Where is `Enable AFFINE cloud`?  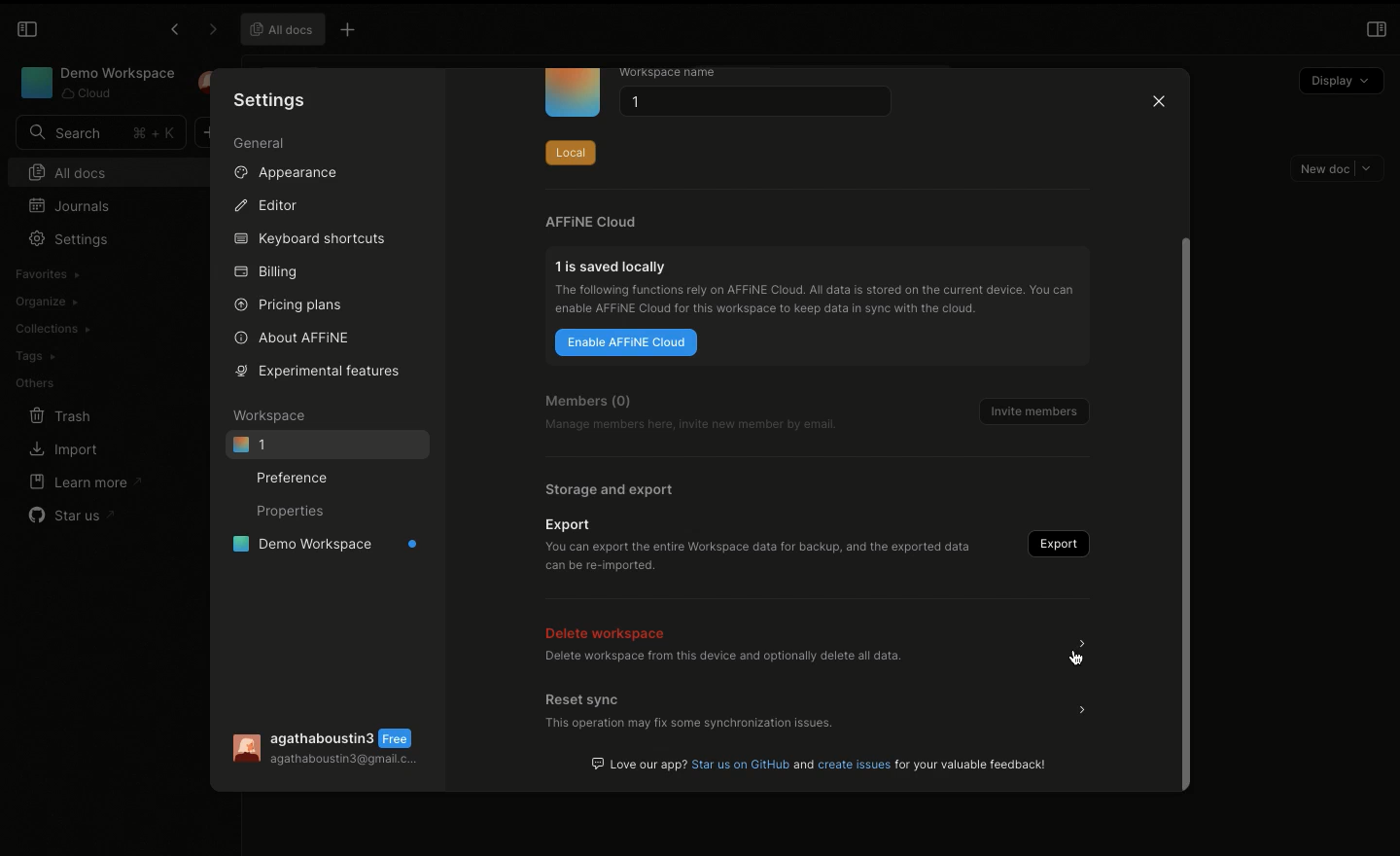
Enable AFFINE cloud is located at coordinates (627, 343).